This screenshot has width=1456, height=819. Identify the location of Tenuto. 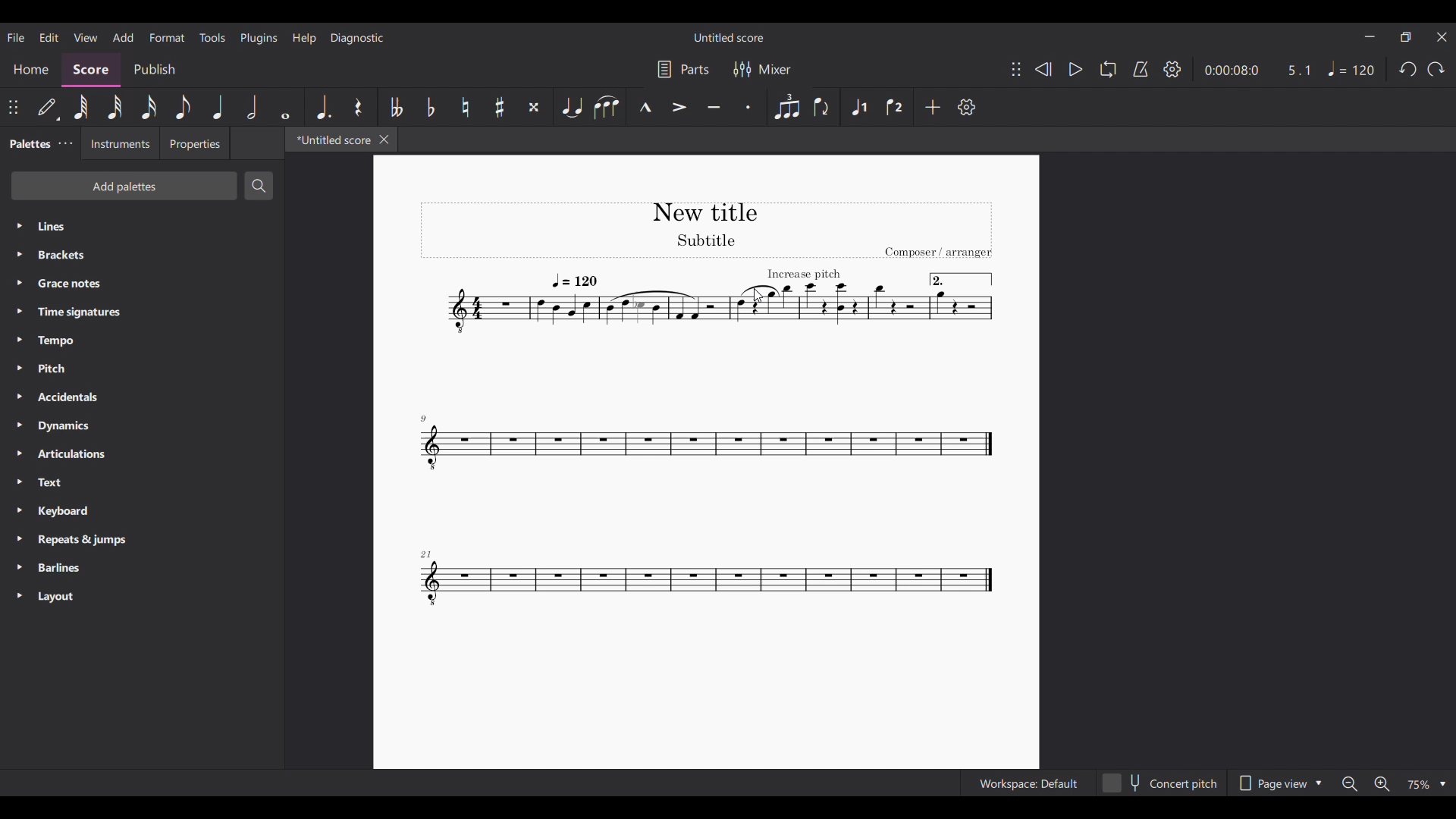
(714, 106).